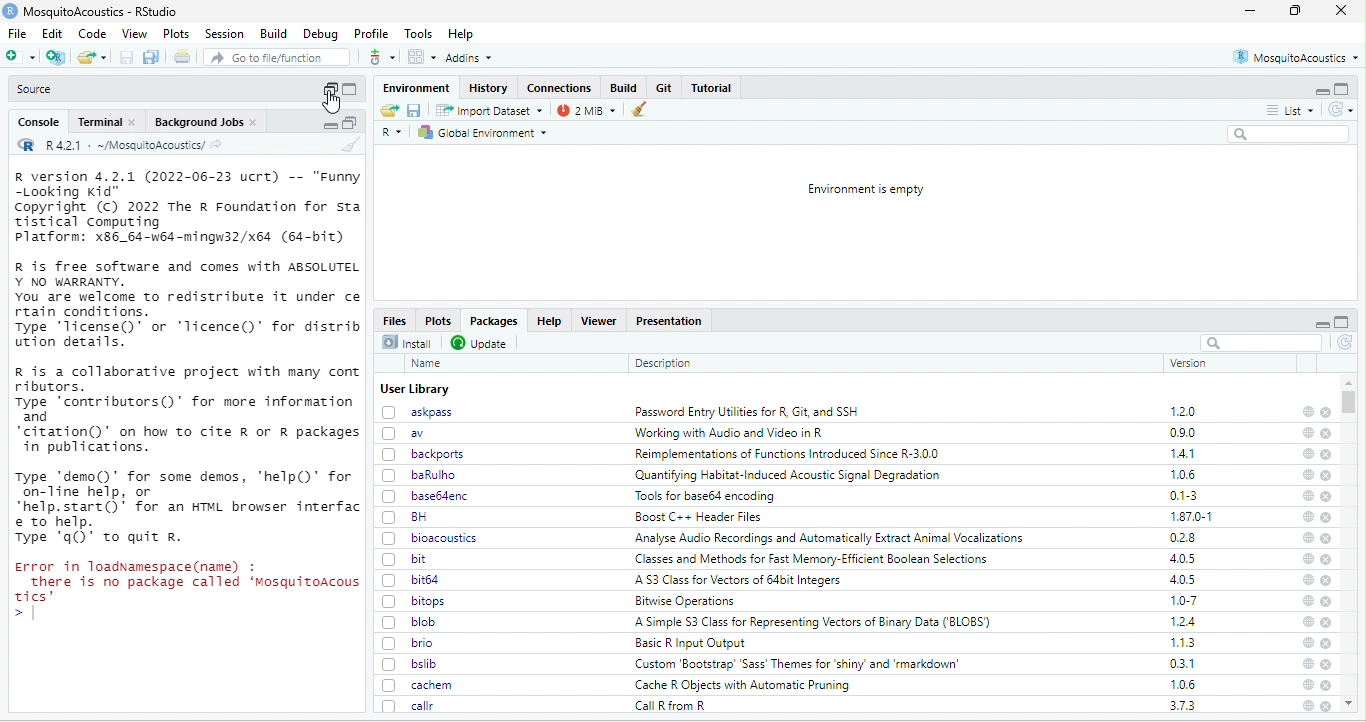 This screenshot has height=722, width=1366. What do you see at coordinates (321, 35) in the screenshot?
I see `Debug` at bounding box center [321, 35].